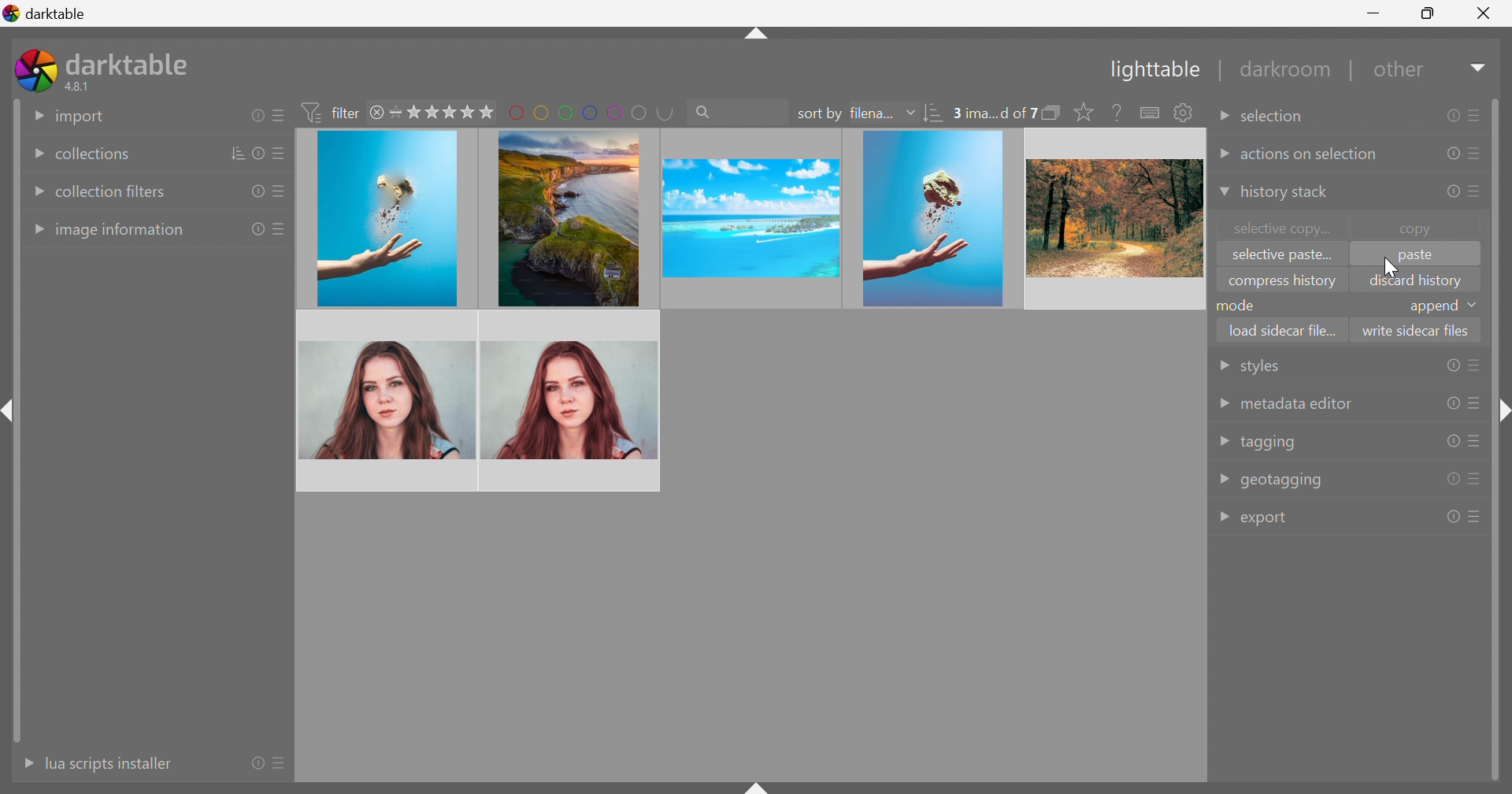 This screenshot has width=1512, height=794. I want to click on image, so click(565, 217).